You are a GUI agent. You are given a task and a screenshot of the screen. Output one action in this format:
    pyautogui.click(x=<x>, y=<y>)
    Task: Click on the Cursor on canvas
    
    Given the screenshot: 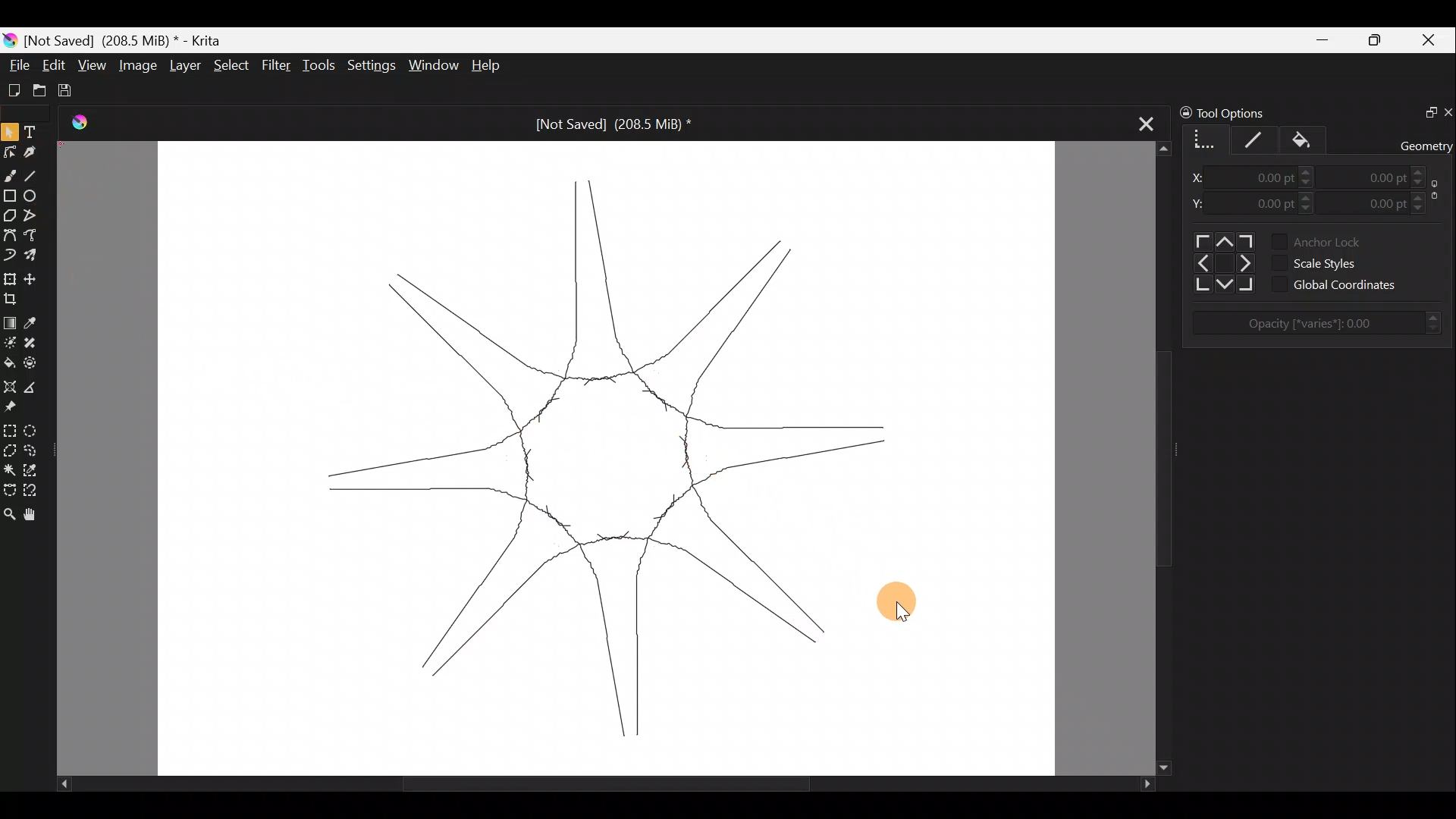 What is the action you would take?
    pyautogui.click(x=901, y=605)
    